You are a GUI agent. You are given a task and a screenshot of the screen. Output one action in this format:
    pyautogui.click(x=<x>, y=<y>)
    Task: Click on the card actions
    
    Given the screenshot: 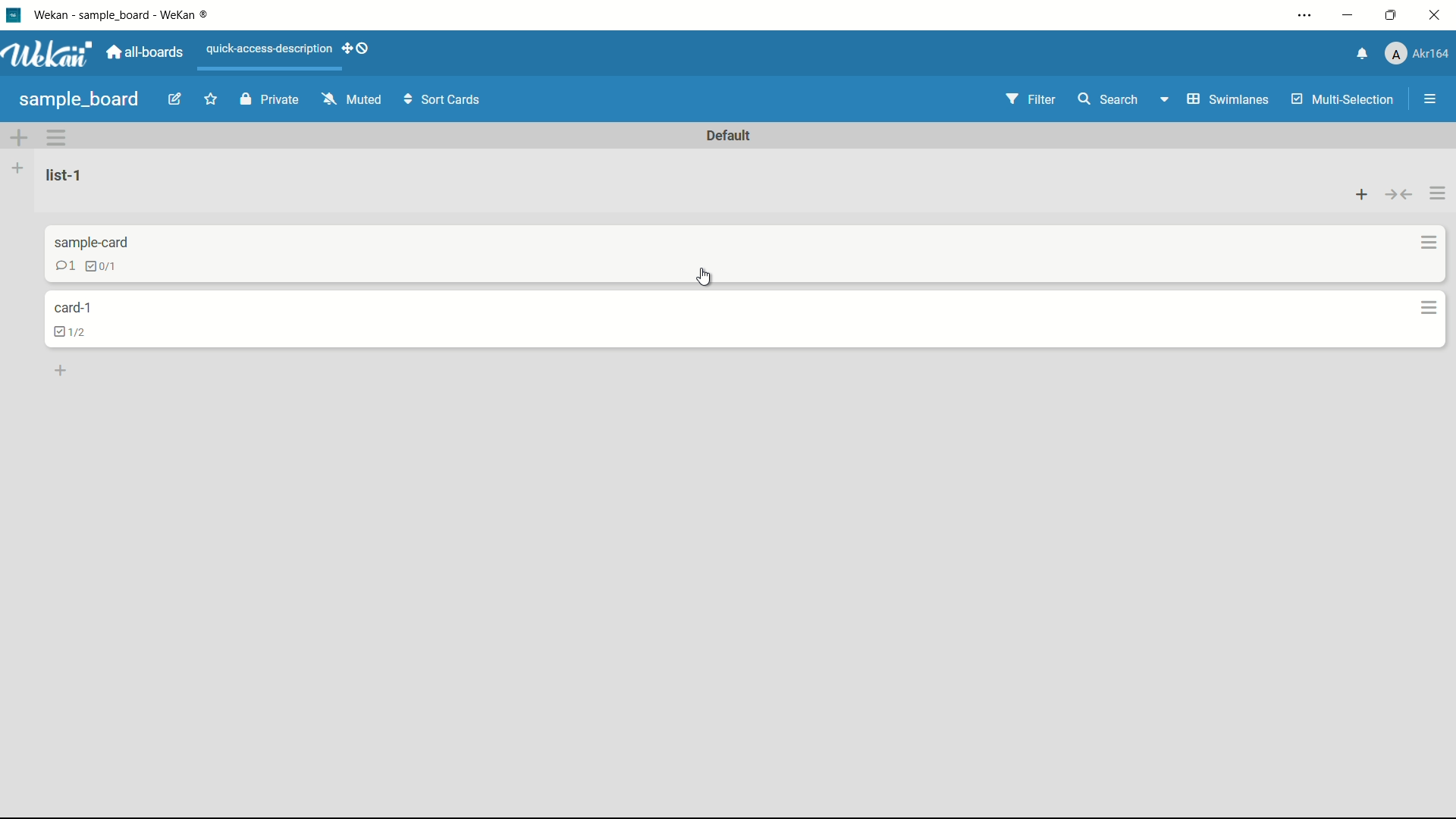 What is the action you would take?
    pyautogui.click(x=1430, y=309)
    